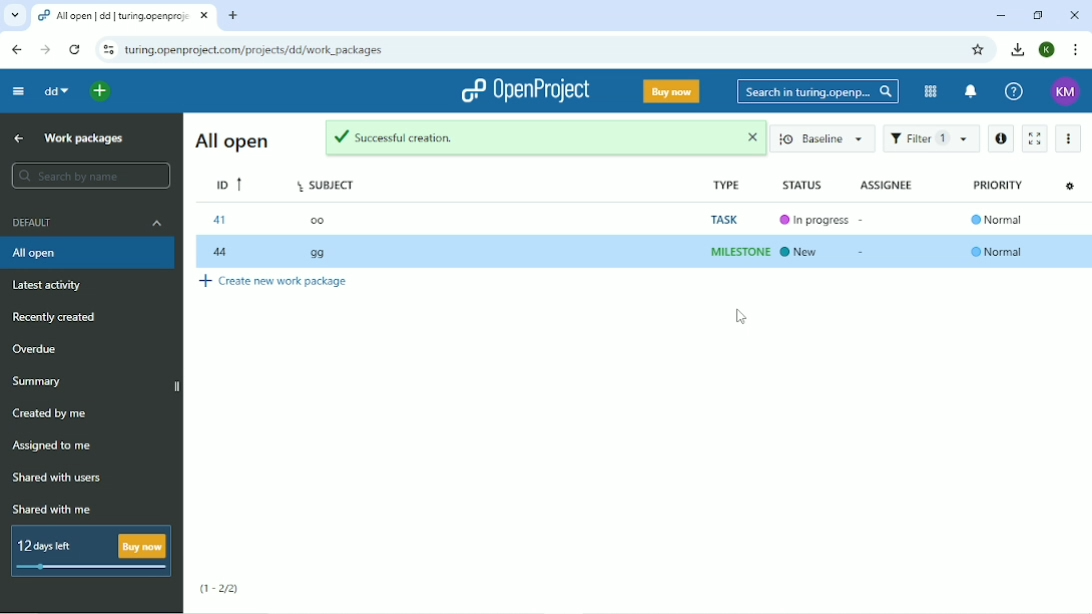 This screenshot has height=614, width=1092. What do you see at coordinates (220, 221) in the screenshot?
I see `41` at bounding box center [220, 221].